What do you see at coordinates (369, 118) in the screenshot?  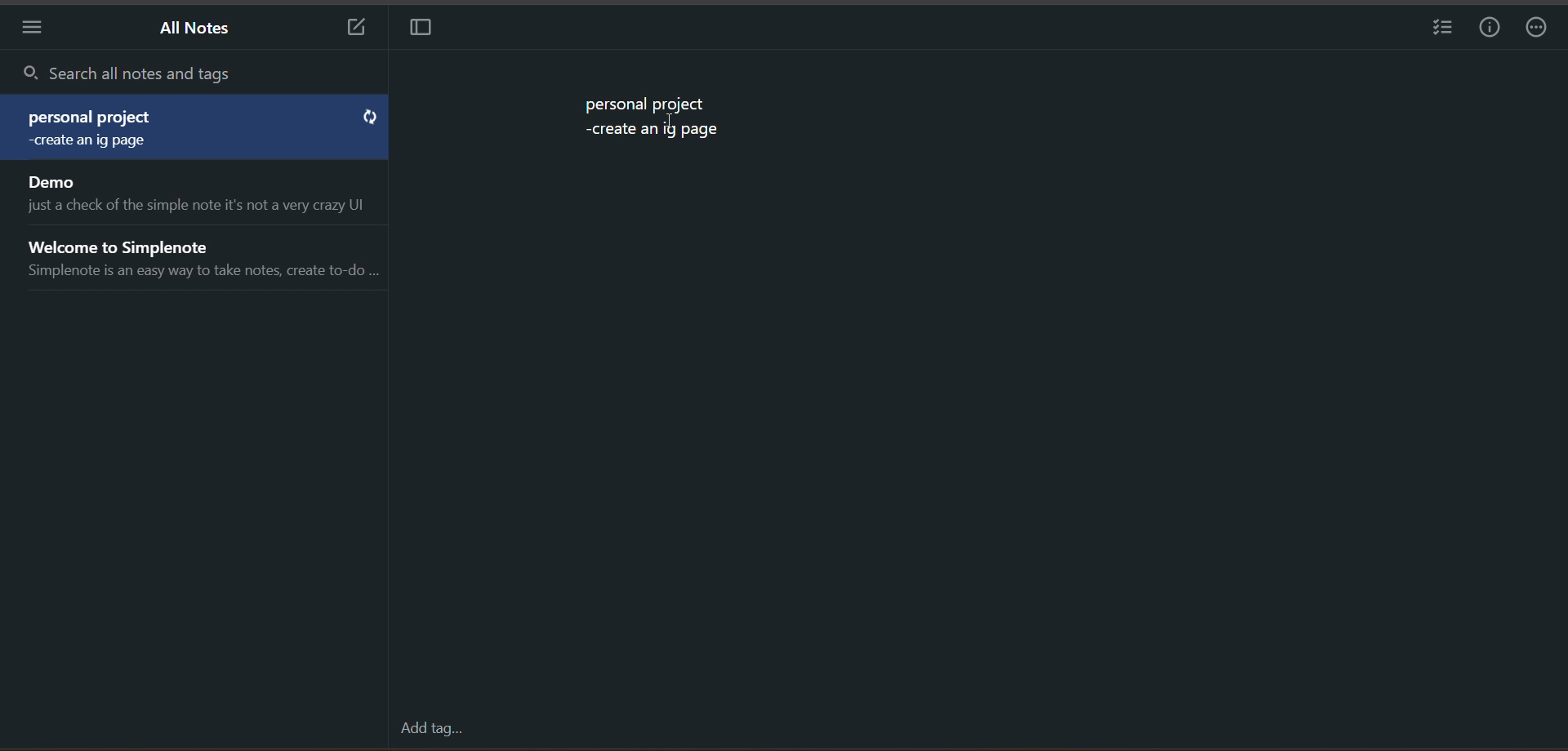 I see `sync button` at bounding box center [369, 118].